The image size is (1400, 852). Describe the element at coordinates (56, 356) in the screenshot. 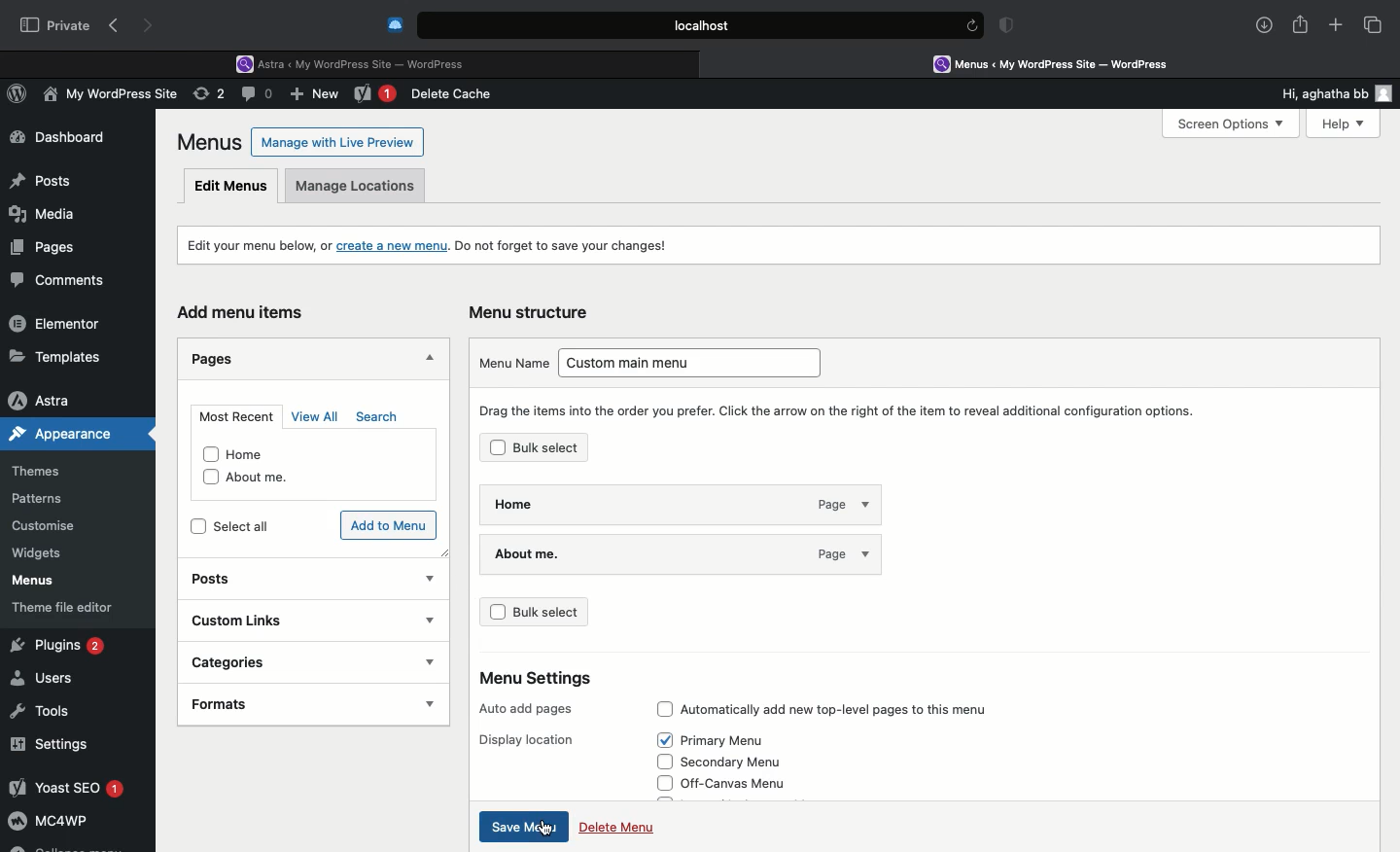

I see `Templates` at that location.